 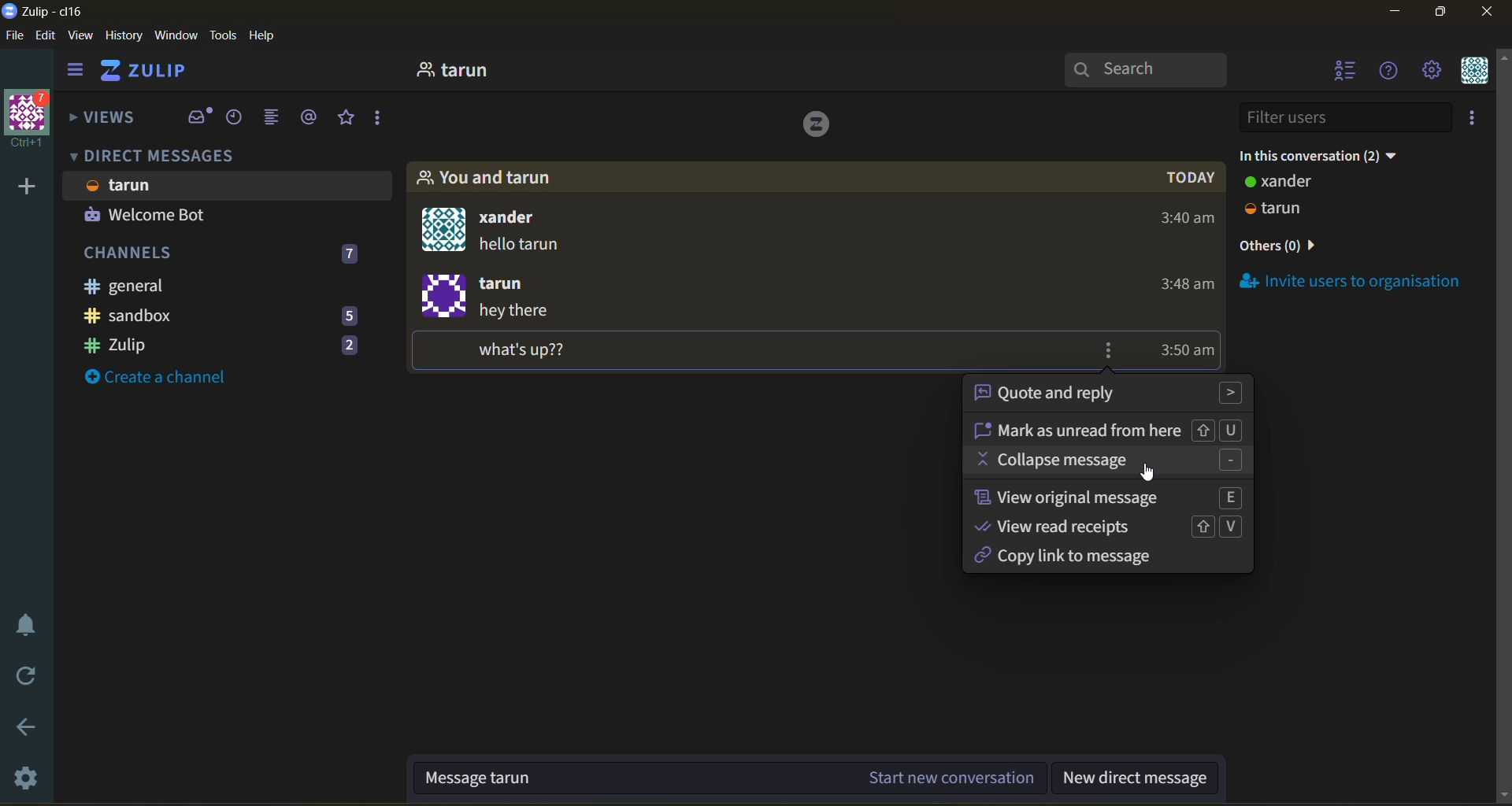 I want to click on profile icon, so click(x=445, y=228).